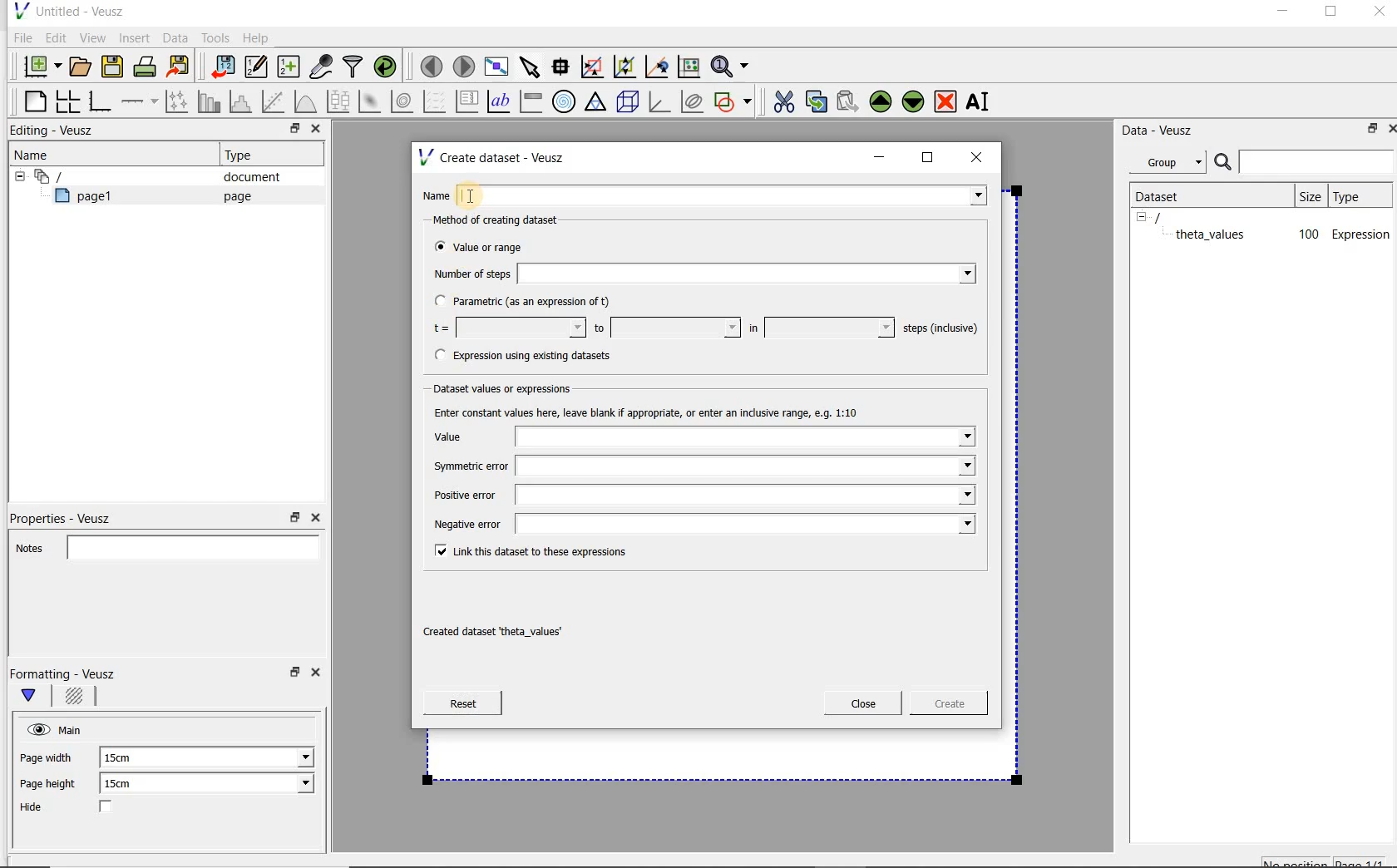 This screenshot has height=868, width=1397. Describe the element at coordinates (508, 220) in the screenshot. I see `Method of creating dataset:` at that location.